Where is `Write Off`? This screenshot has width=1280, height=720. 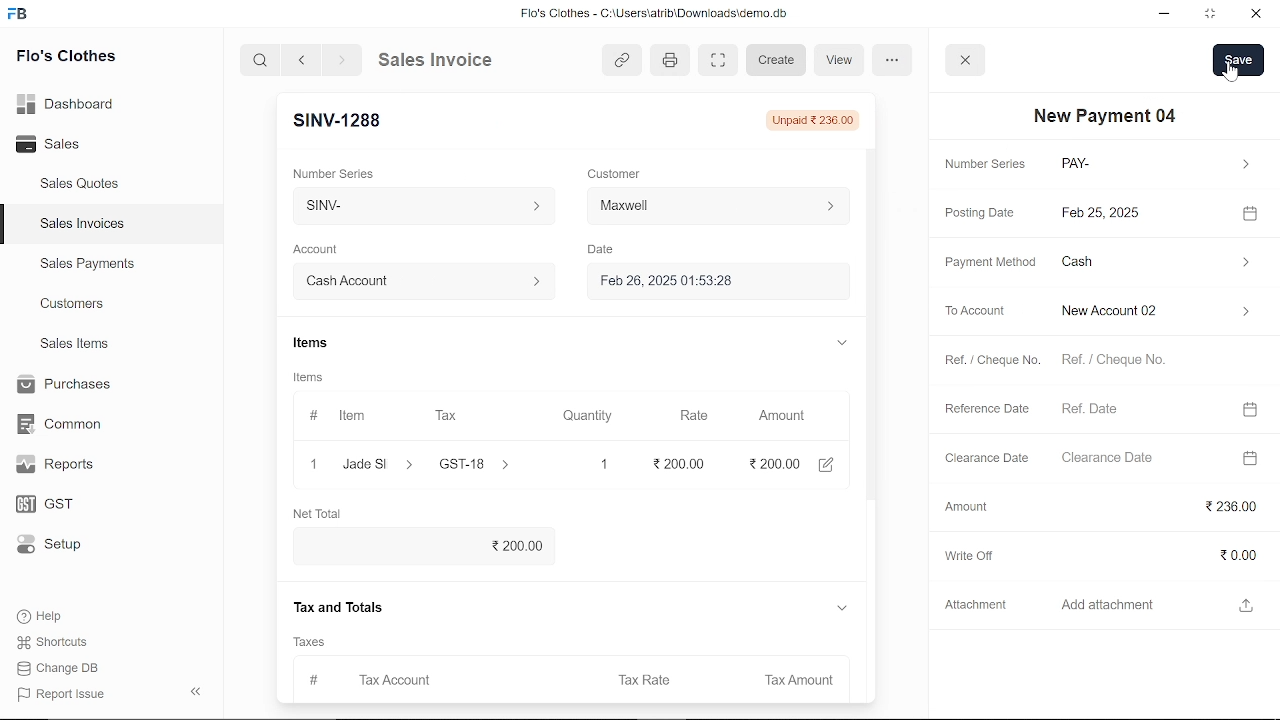
Write Off is located at coordinates (969, 555).